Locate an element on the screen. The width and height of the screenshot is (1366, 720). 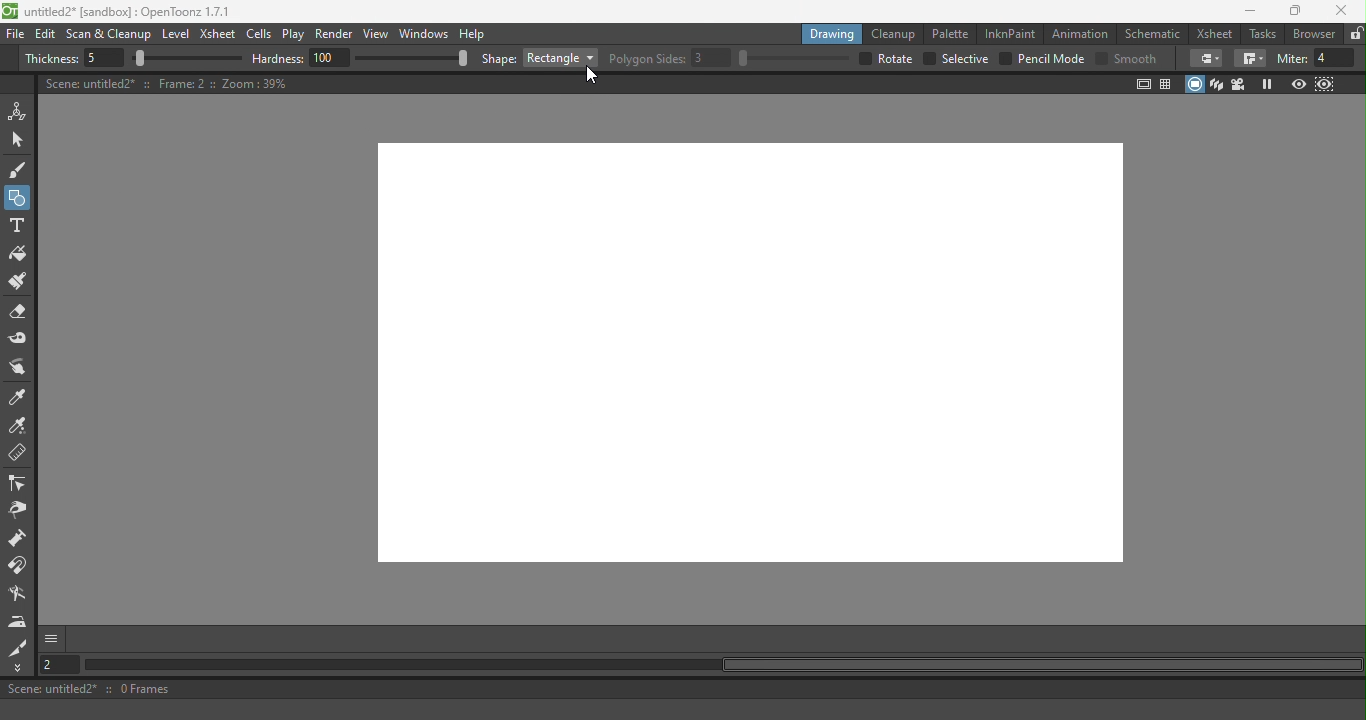
Palette is located at coordinates (946, 34).